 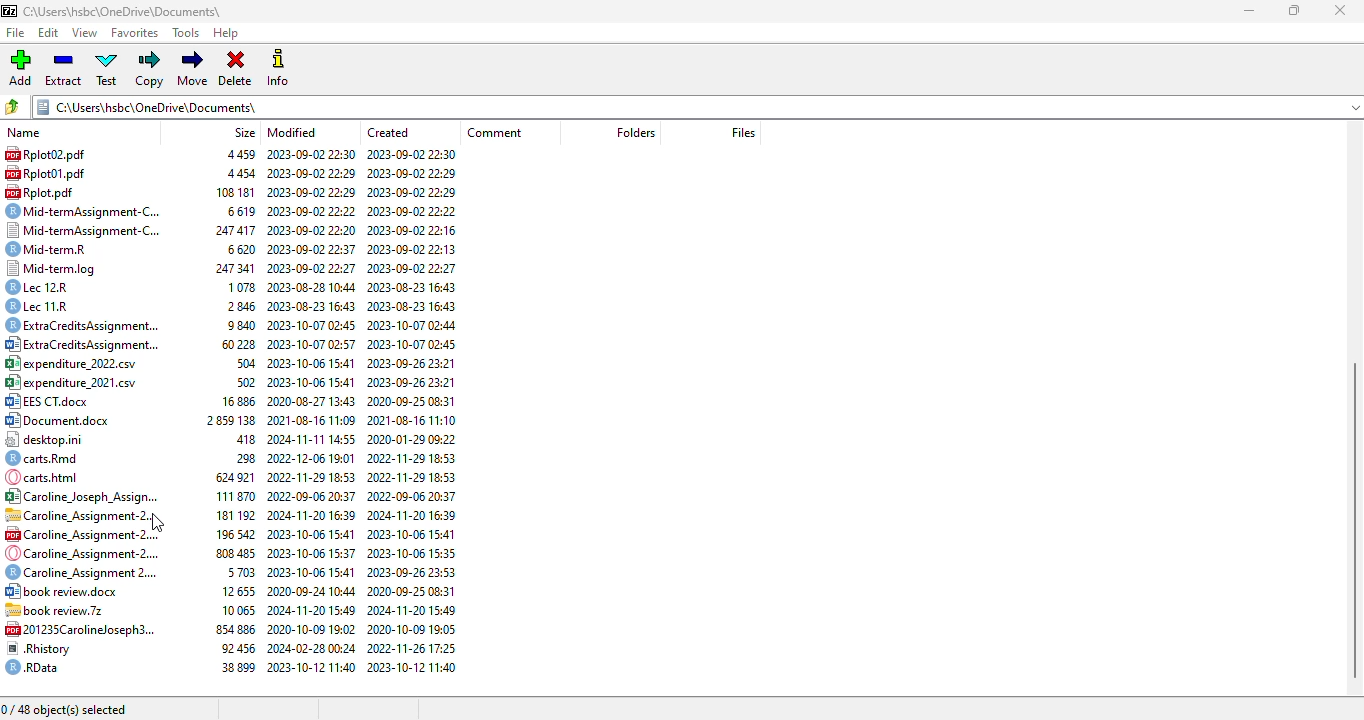 I want to click on minimize, so click(x=1250, y=10).